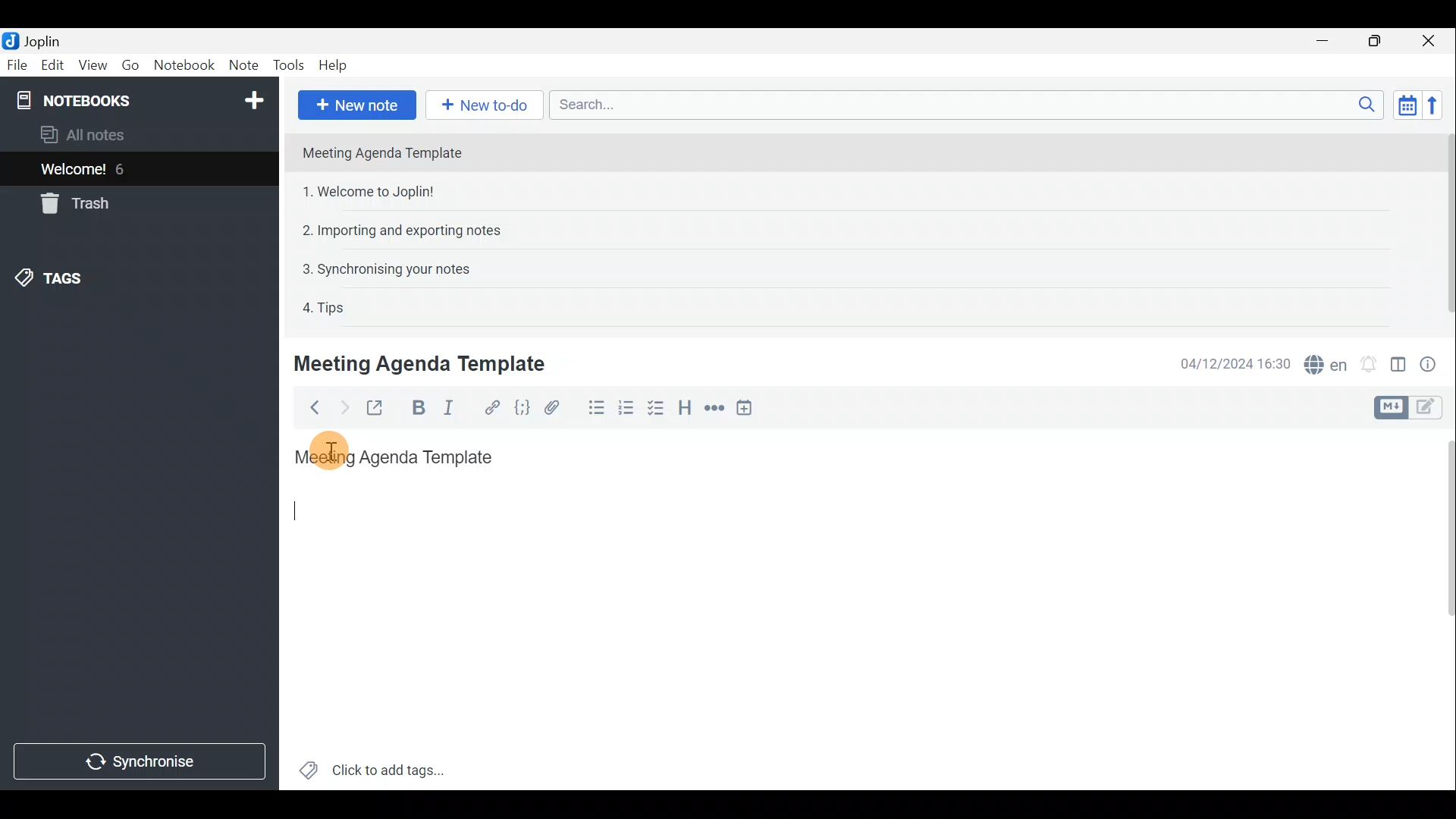 The height and width of the screenshot is (819, 1456). Describe the element at coordinates (407, 231) in the screenshot. I see `2. Importing and exporting notes` at that location.